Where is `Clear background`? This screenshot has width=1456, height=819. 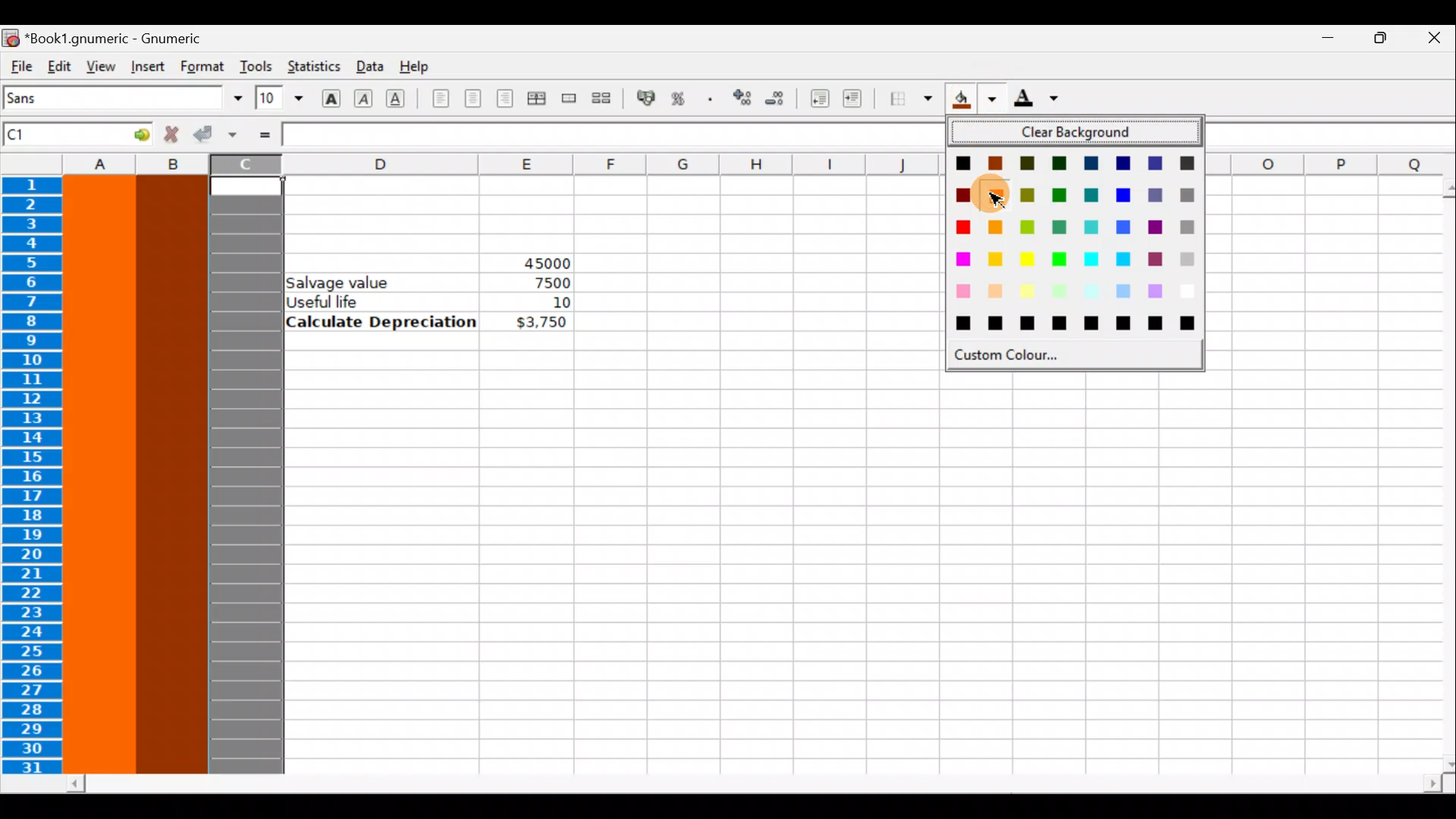 Clear background is located at coordinates (1081, 133).